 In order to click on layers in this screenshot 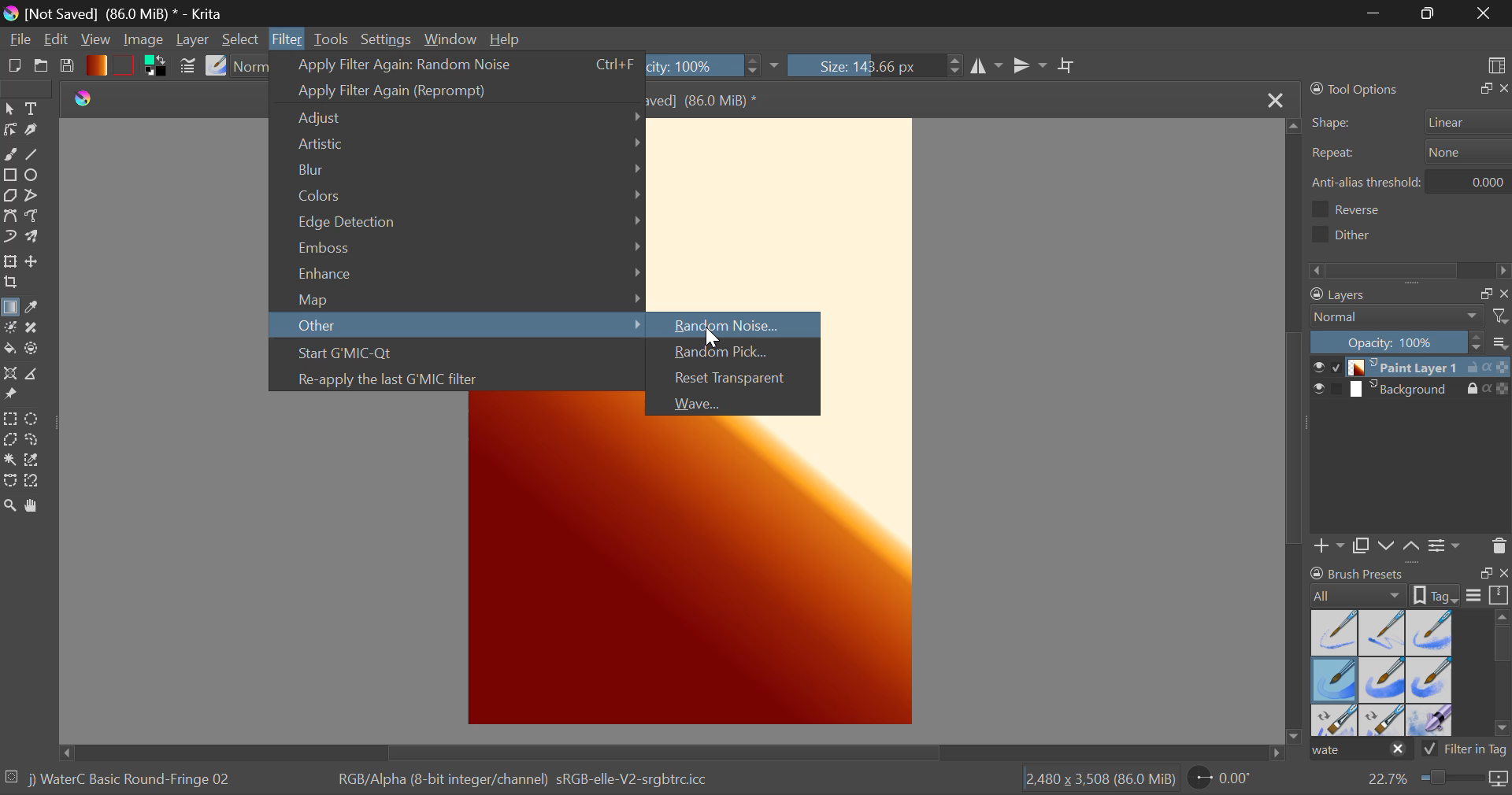, I will do `click(1382, 296)`.